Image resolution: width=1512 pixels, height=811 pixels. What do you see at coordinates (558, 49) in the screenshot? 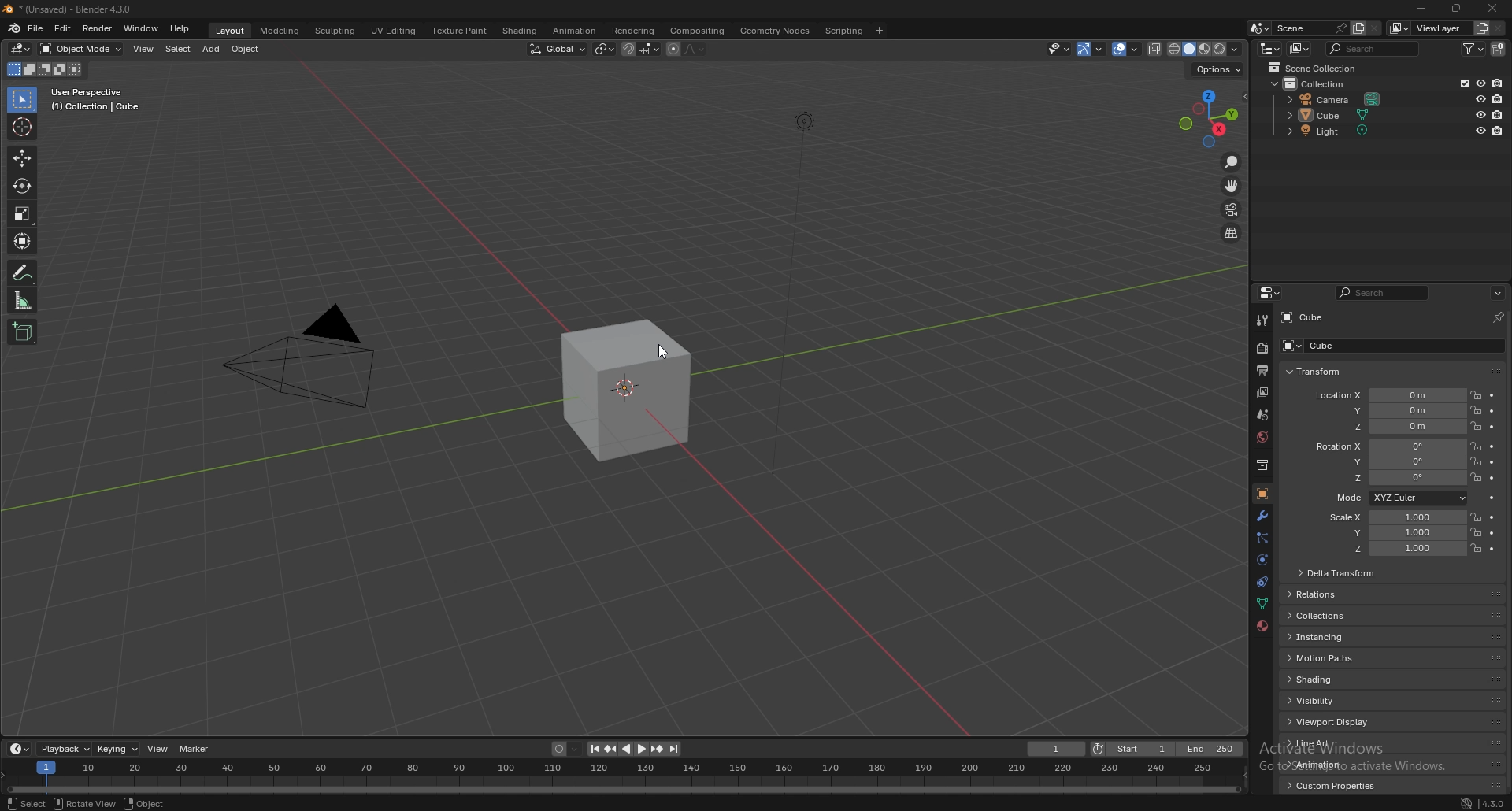
I see `transformation orientation` at bounding box center [558, 49].